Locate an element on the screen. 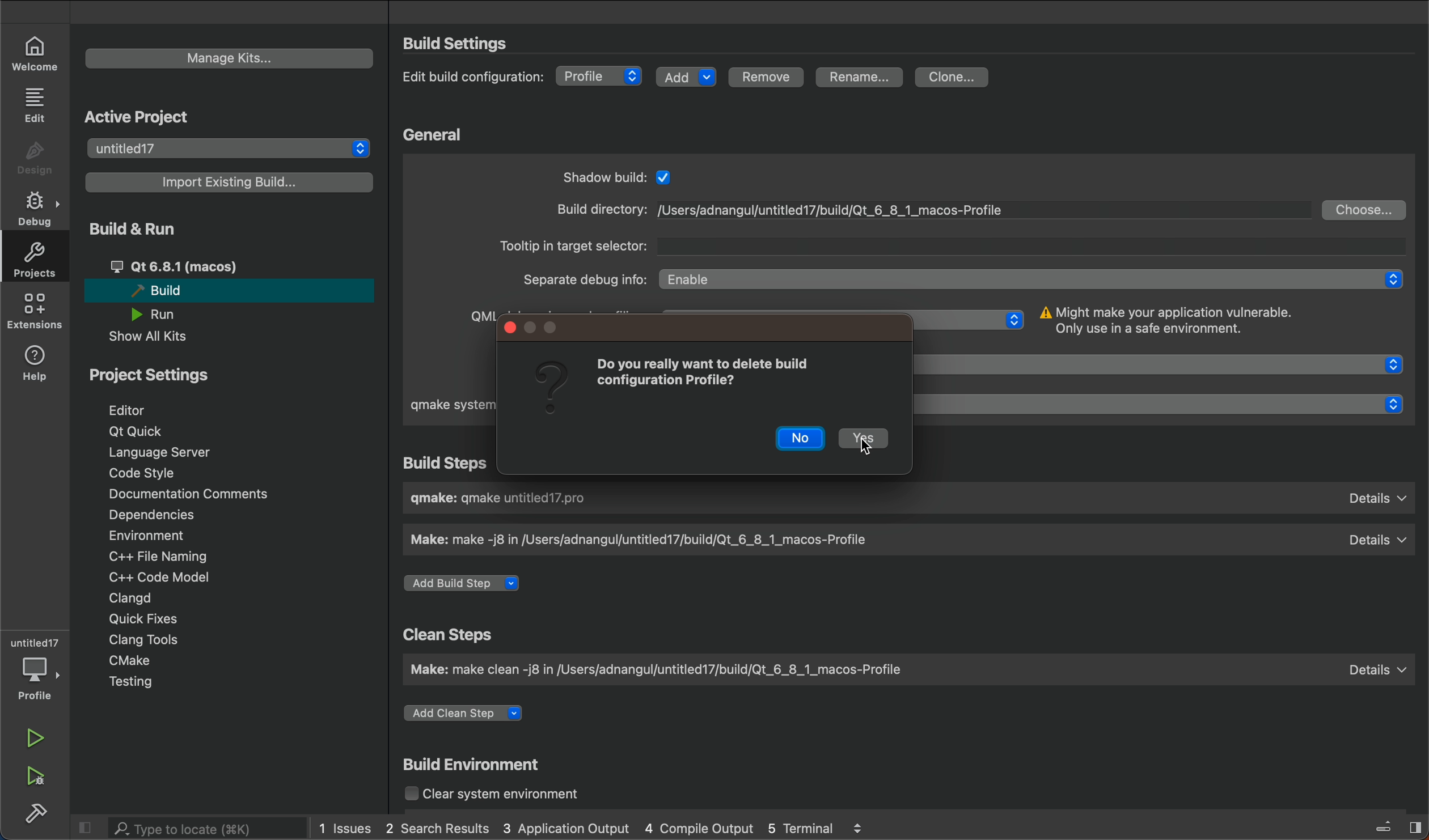 The height and width of the screenshot is (840, 1429). language server is located at coordinates (166, 452).